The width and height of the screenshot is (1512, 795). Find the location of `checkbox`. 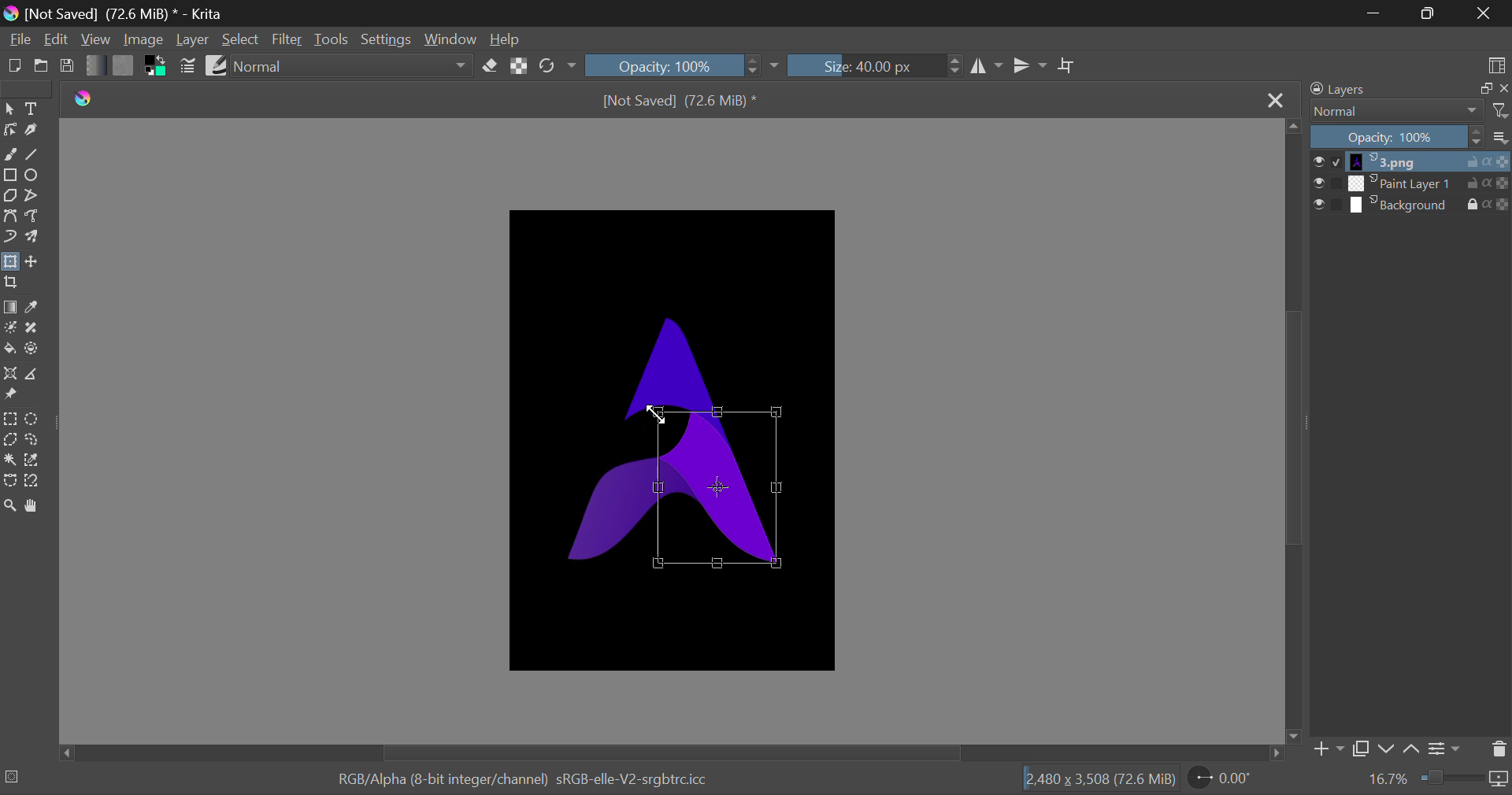

checkbox is located at coordinates (1326, 183).